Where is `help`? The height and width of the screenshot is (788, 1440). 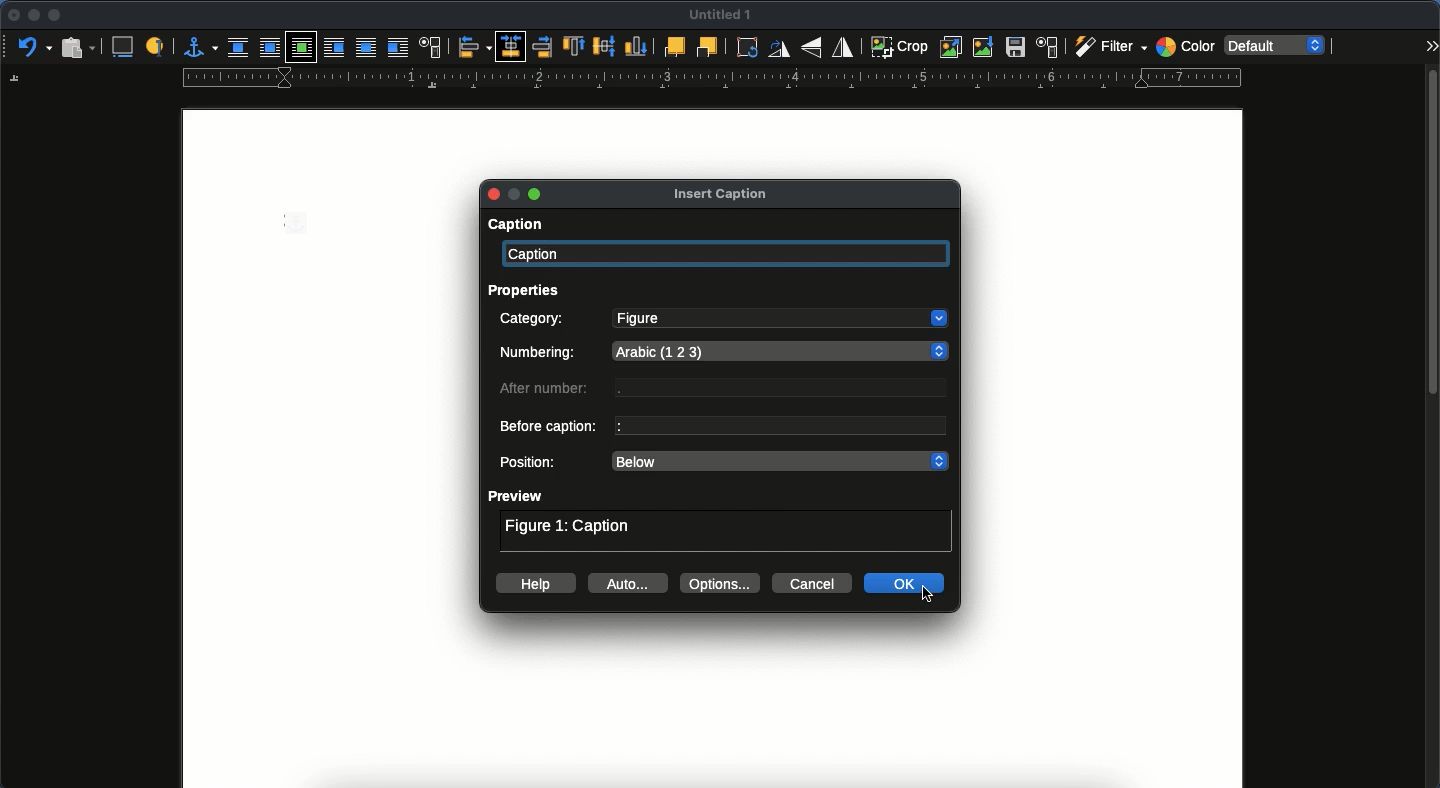 help is located at coordinates (537, 583).